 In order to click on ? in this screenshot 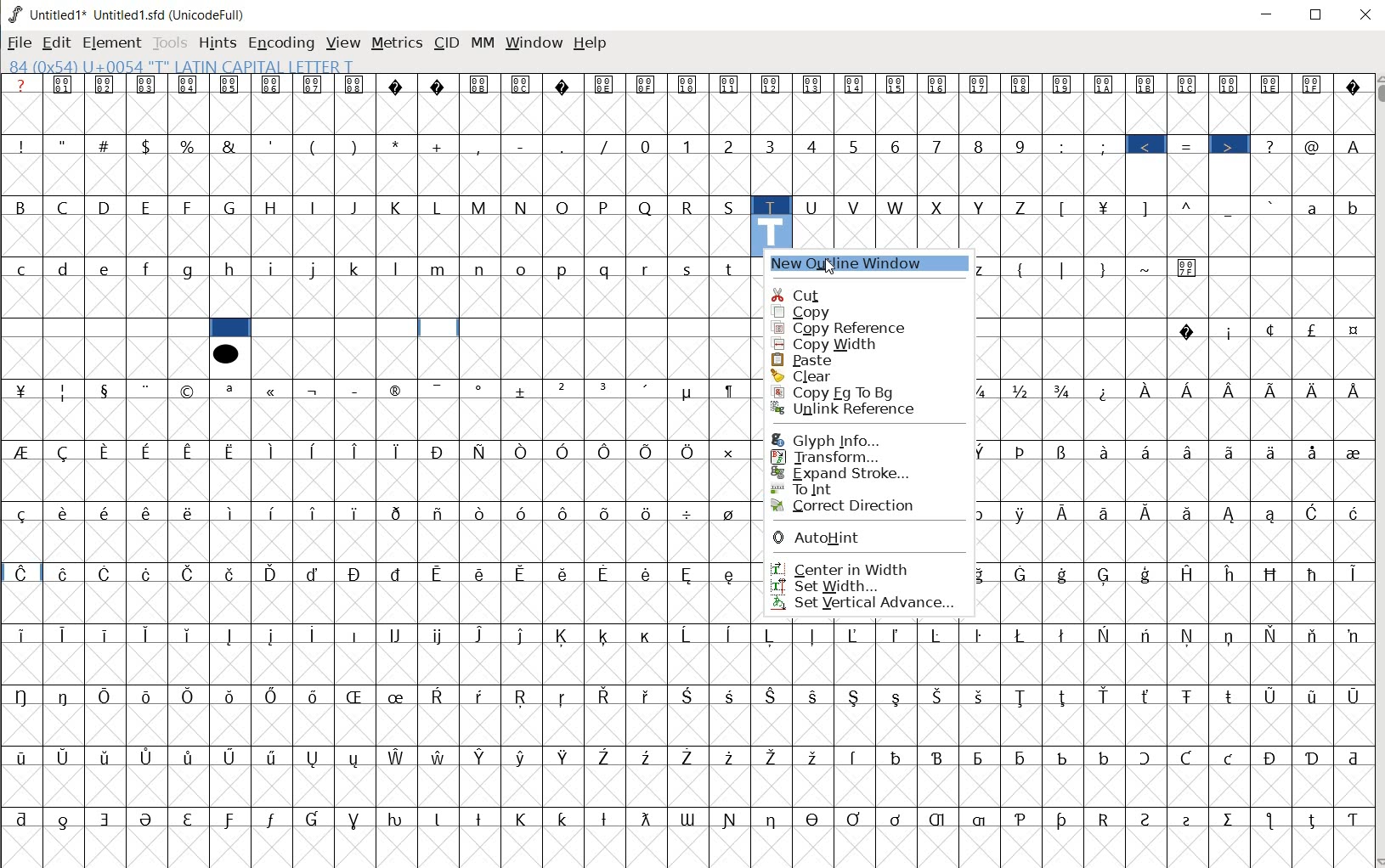, I will do `click(24, 85)`.